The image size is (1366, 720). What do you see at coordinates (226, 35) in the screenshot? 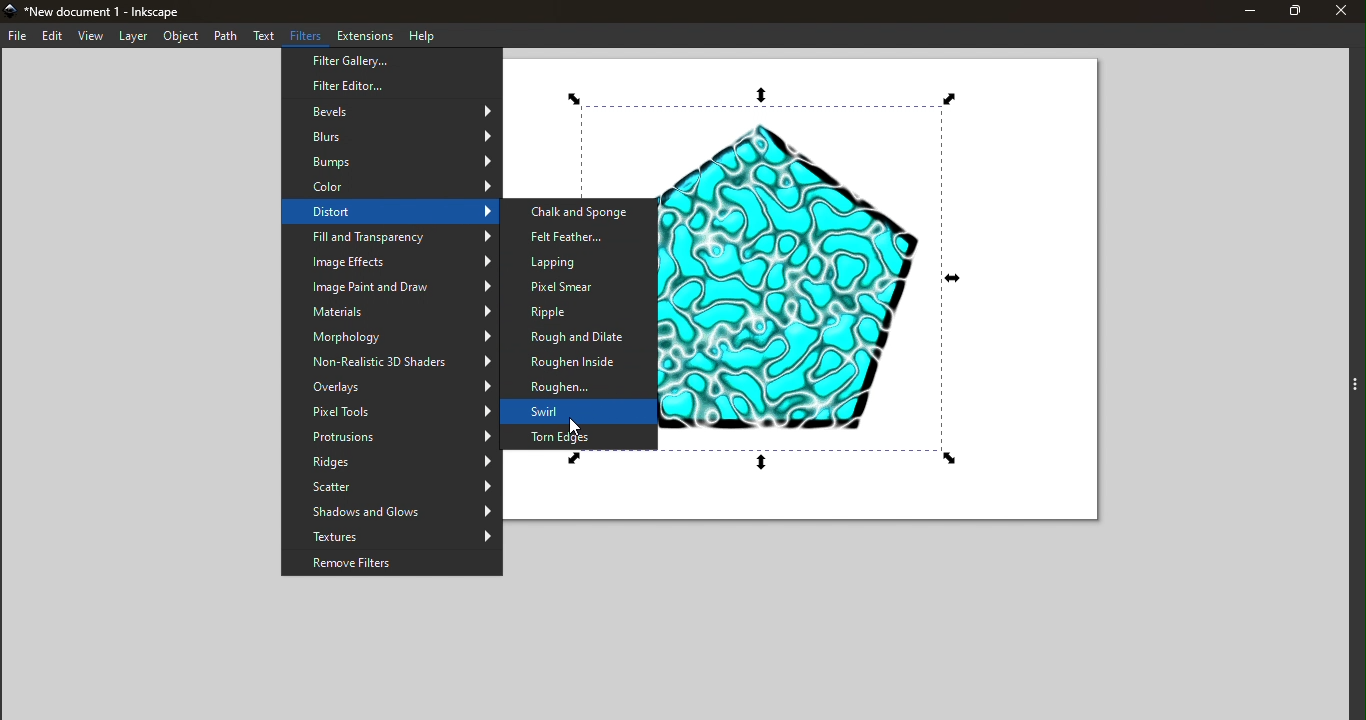
I see `Path` at bounding box center [226, 35].